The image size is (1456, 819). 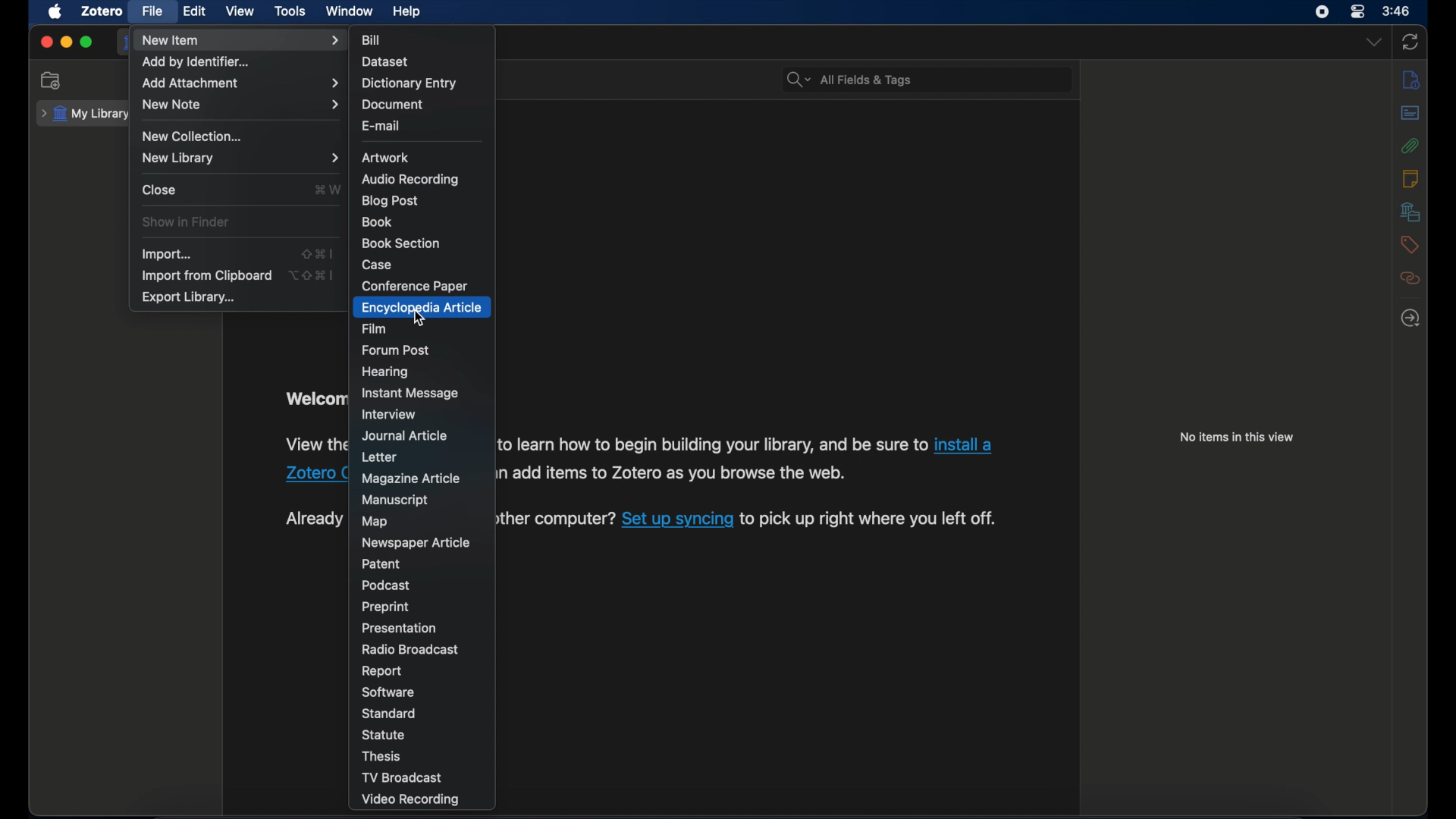 What do you see at coordinates (373, 328) in the screenshot?
I see `film` at bounding box center [373, 328].